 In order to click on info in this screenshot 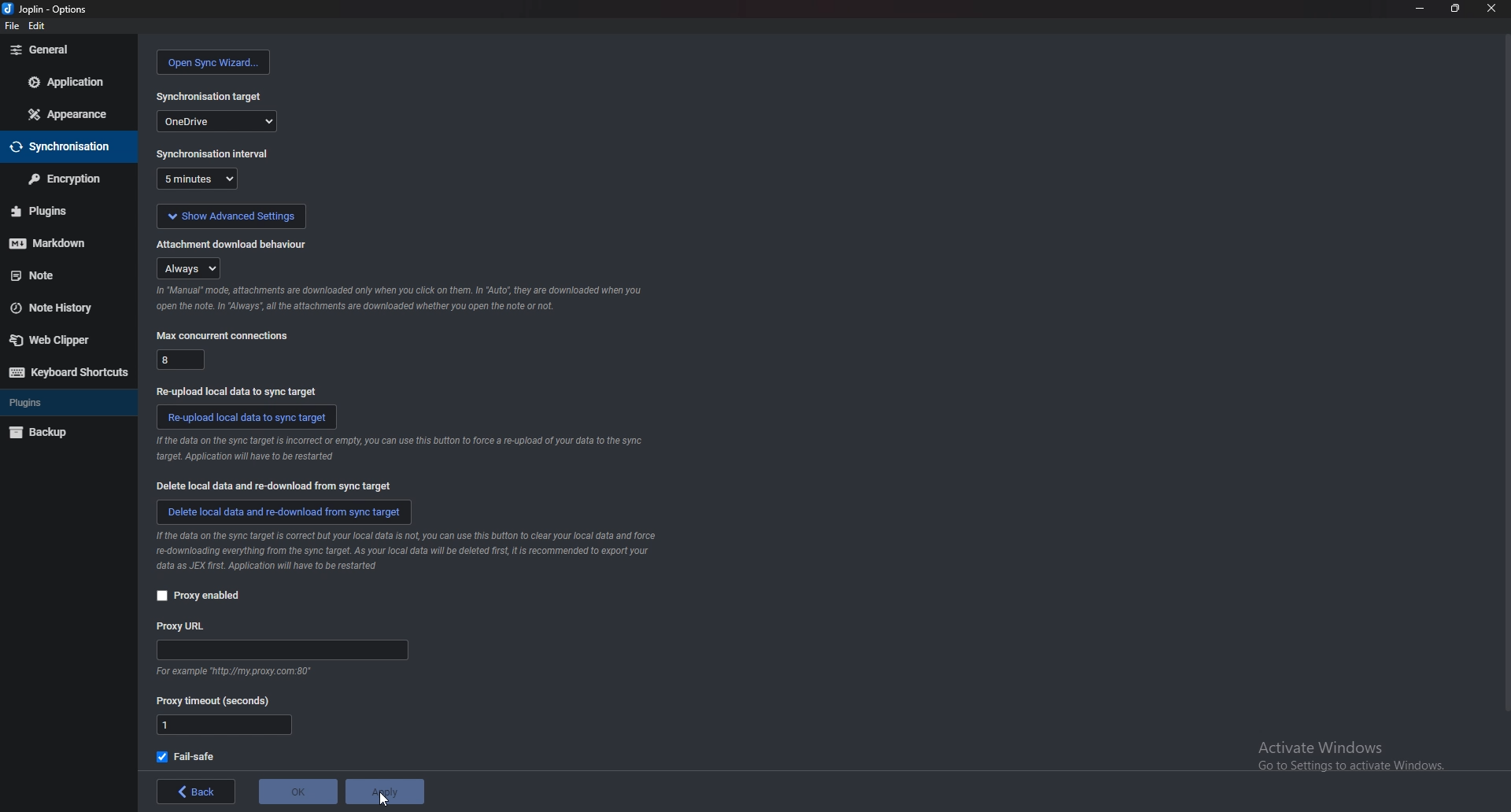, I will do `click(399, 449)`.